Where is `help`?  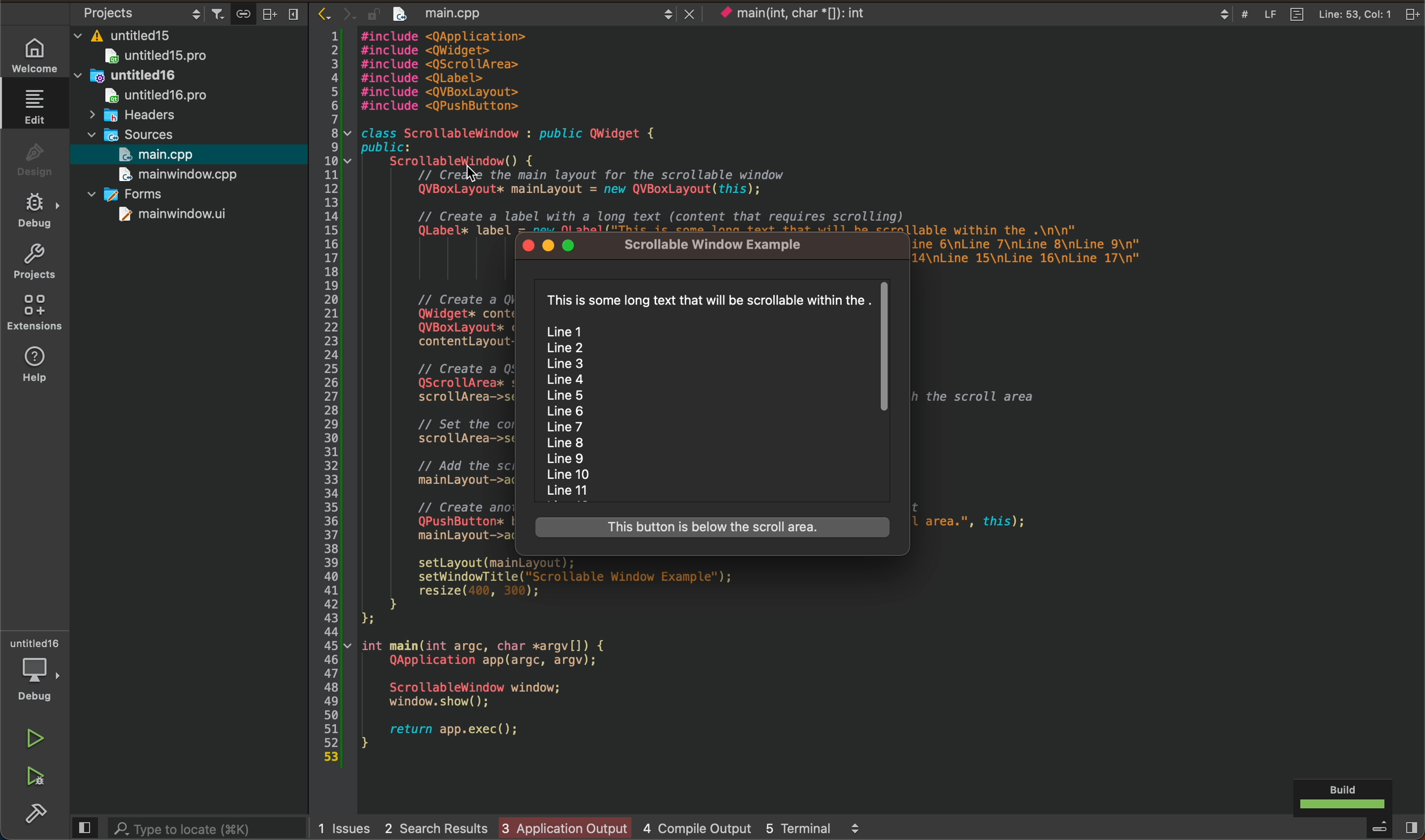 help is located at coordinates (35, 363).